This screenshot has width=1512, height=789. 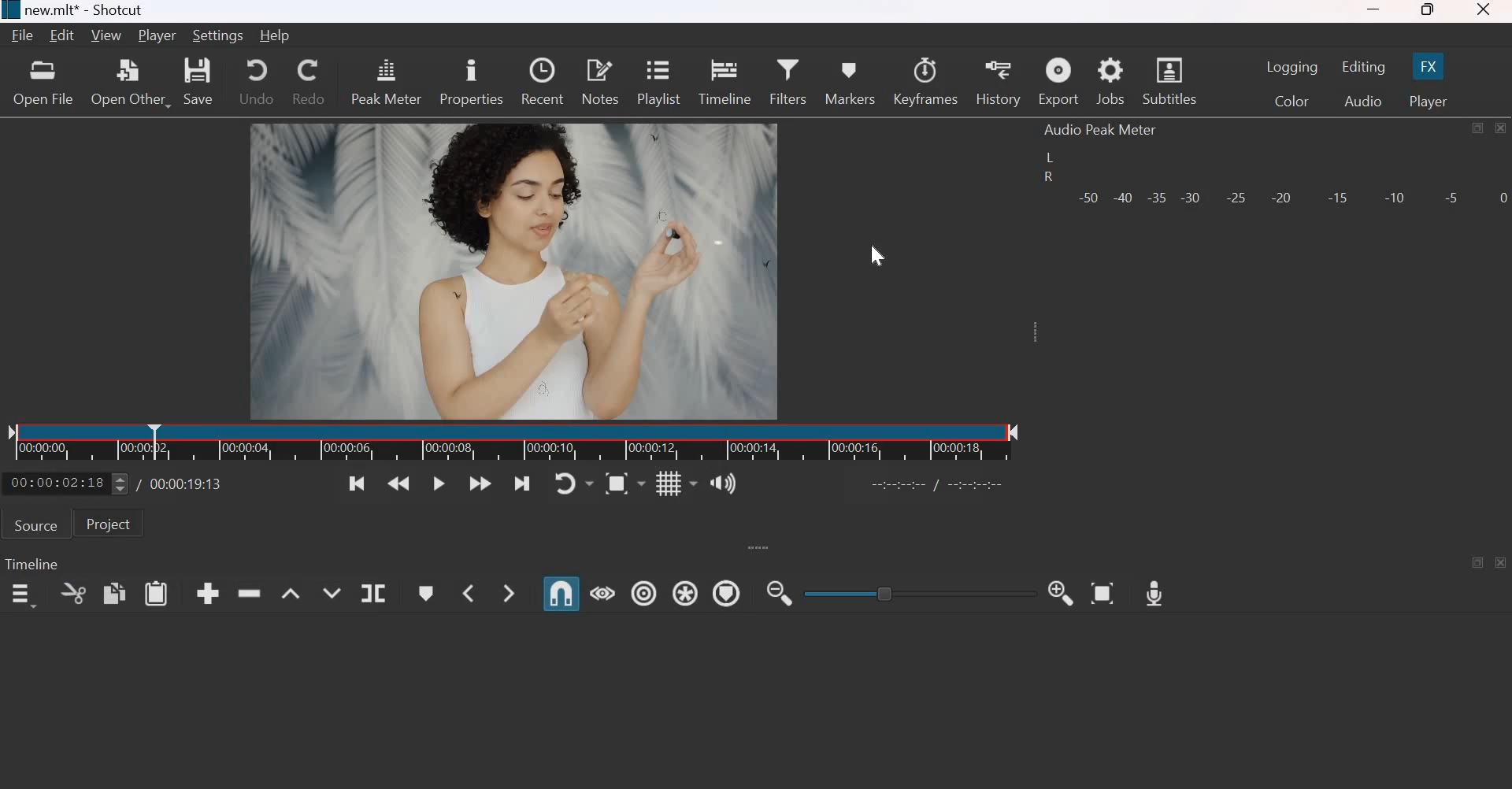 What do you see at coordinates (876, 261) in the screenshot?
I see `cursor` at bounding box center [876, 261].